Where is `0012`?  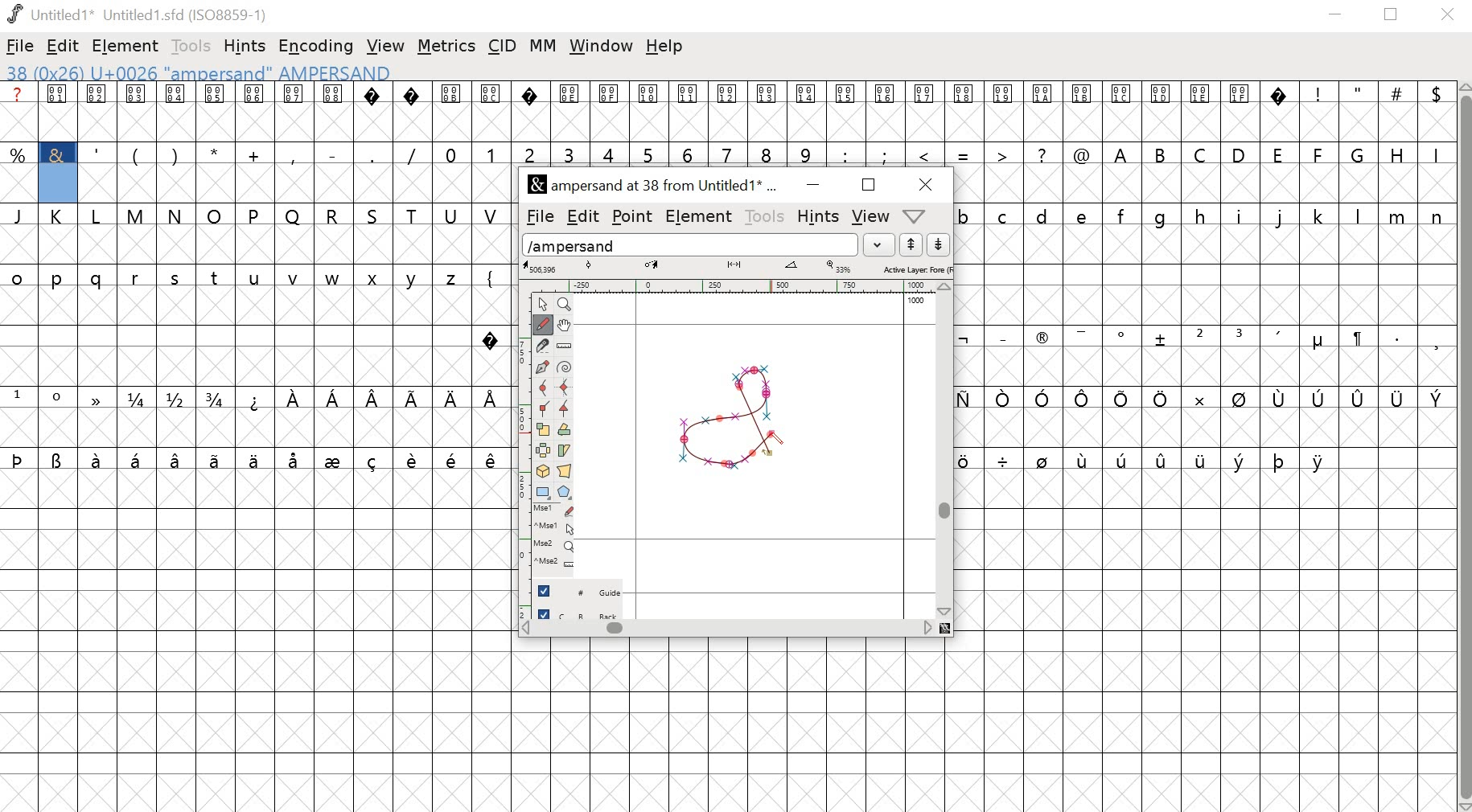 0012 is located at coordinates (731, 111).